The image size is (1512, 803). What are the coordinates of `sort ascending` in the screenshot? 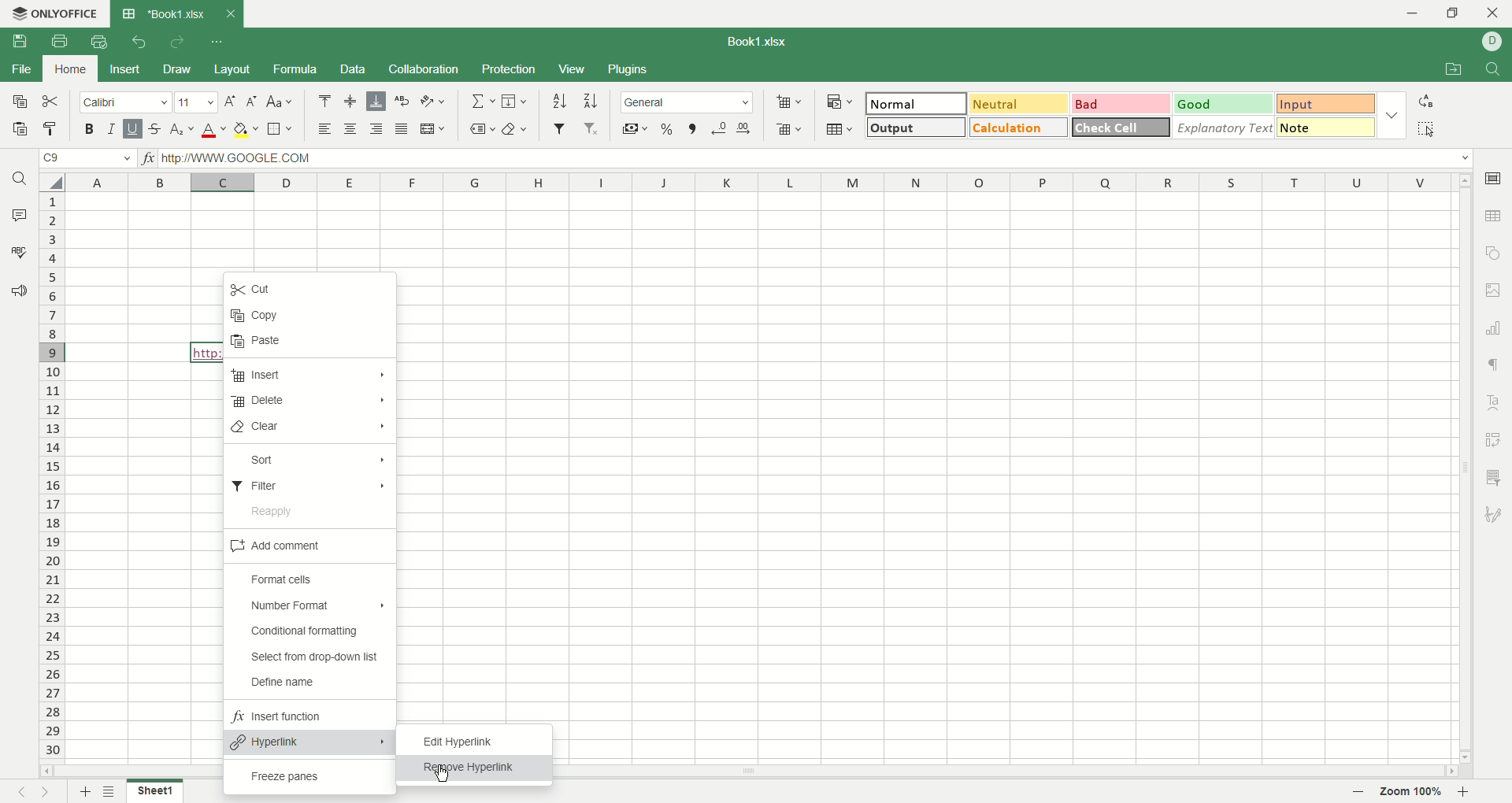 It's located at (559, 100).